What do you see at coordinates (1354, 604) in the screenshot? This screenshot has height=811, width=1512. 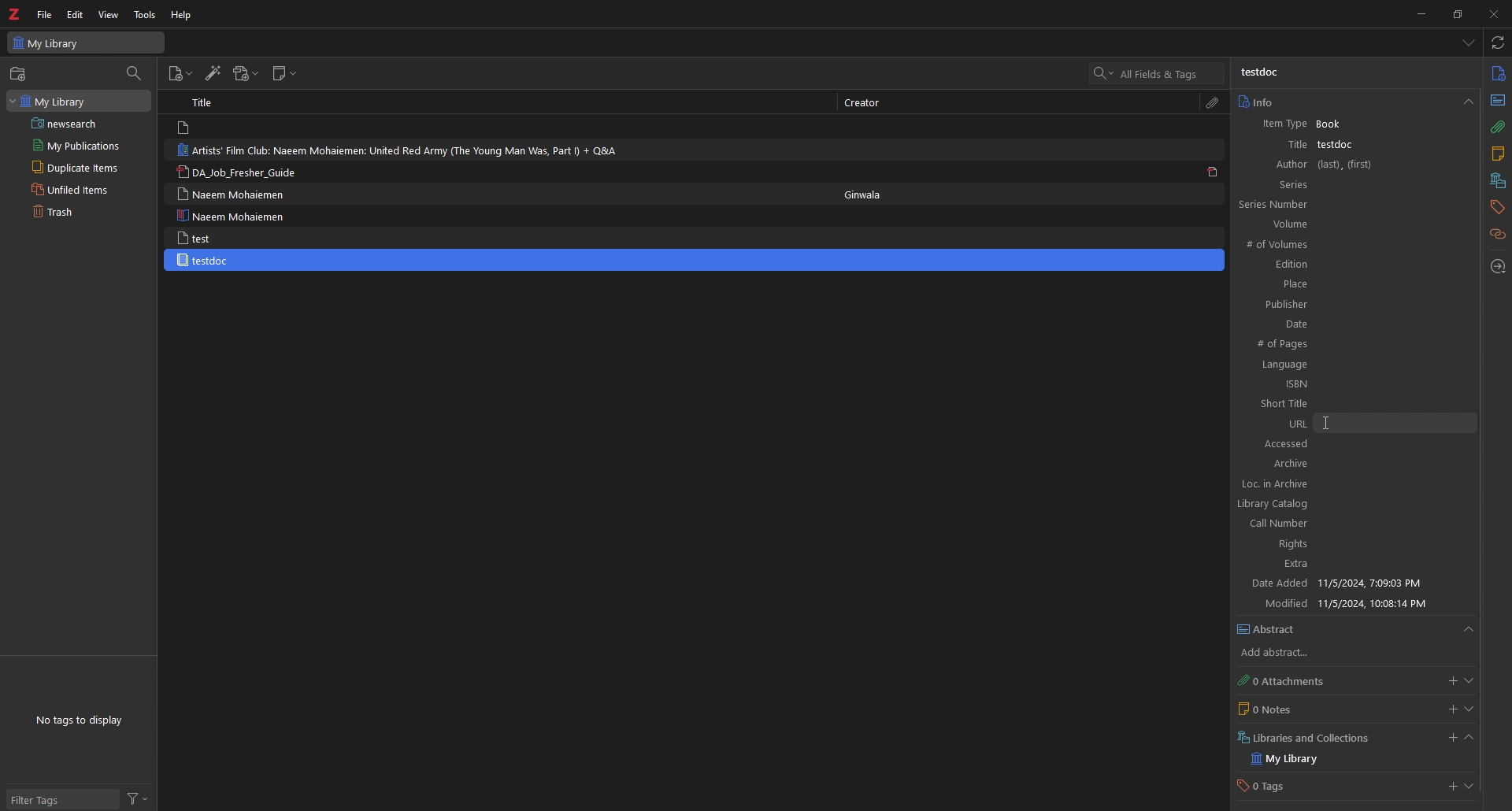 I see `Modified 11/5/2024 10:08:14 PM` at bounding box center [1354, 604].